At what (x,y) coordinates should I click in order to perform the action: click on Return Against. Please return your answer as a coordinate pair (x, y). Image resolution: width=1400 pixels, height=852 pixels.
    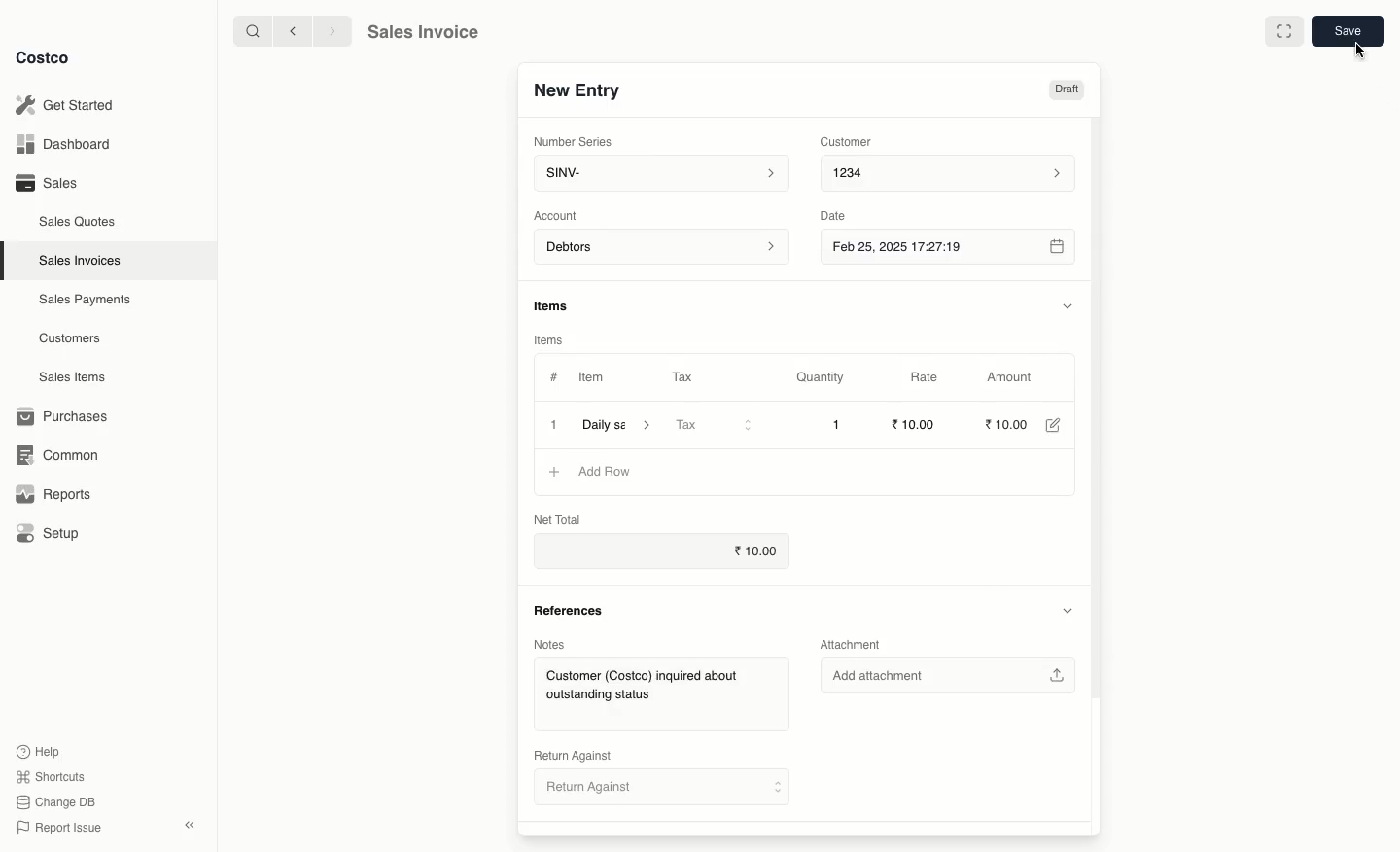
    Looking at the image, I should click on (573, 755).